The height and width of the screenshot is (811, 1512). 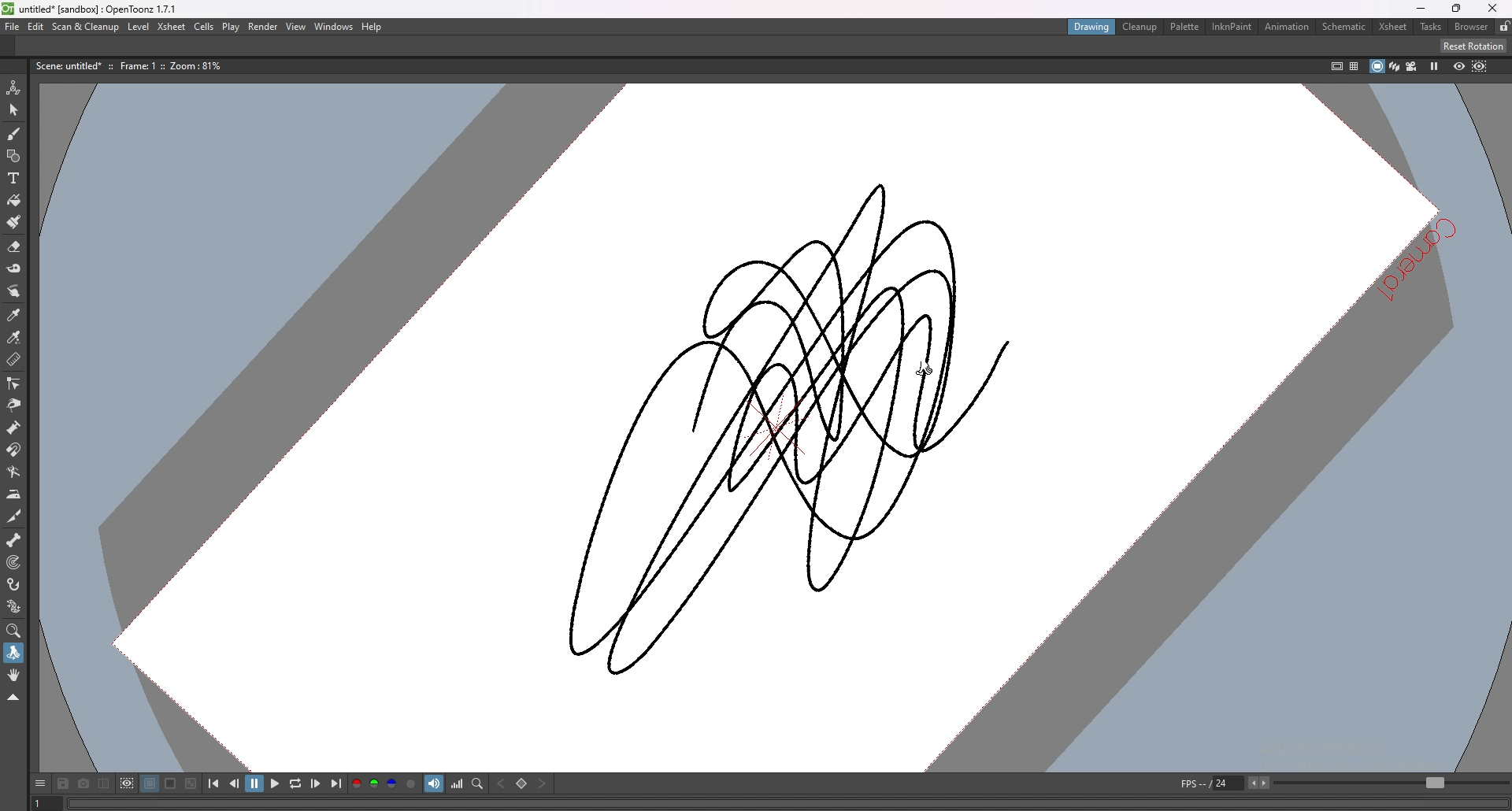 I want to click on finger, so click(x=13, y=291).